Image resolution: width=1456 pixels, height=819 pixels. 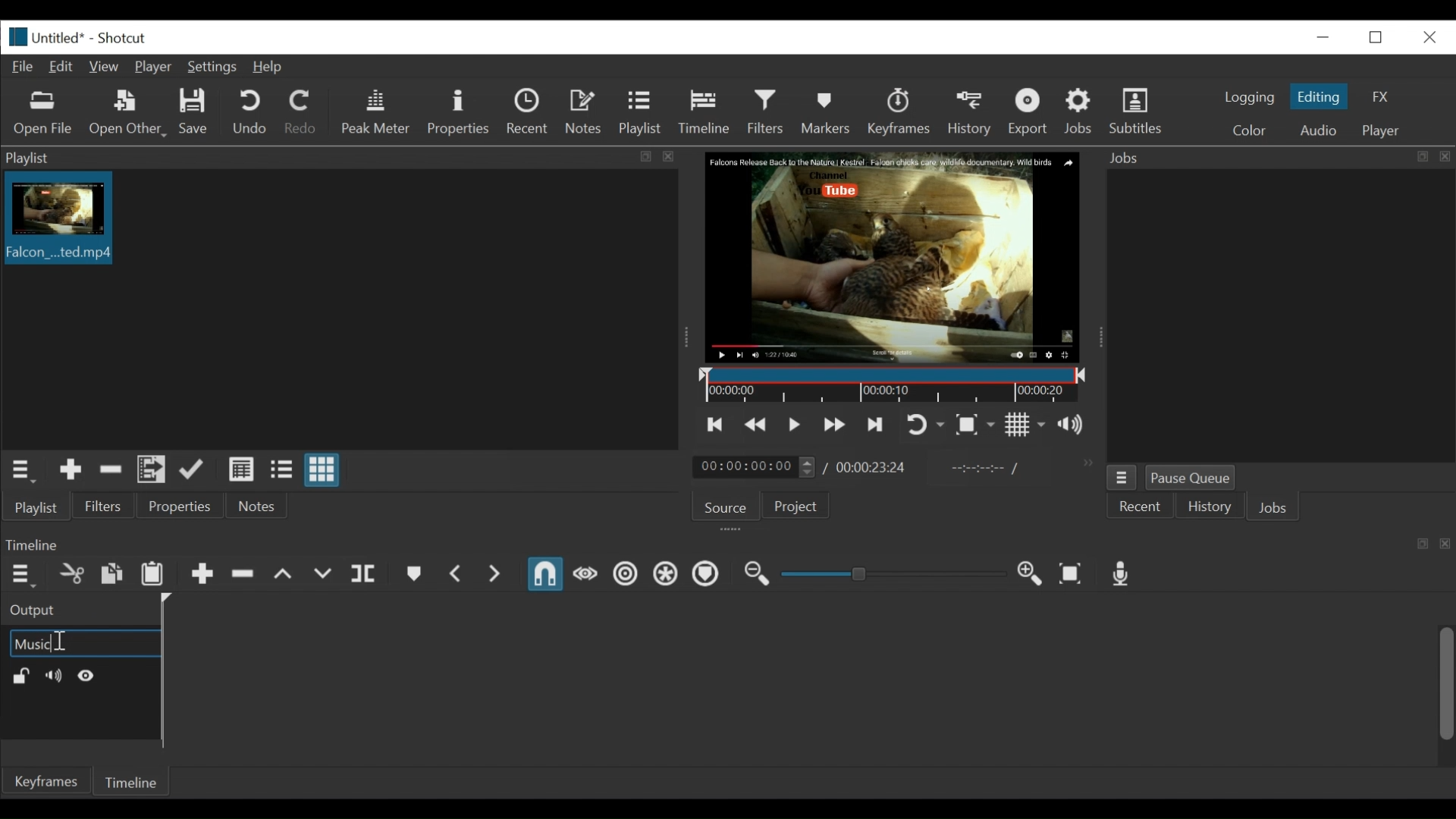 I want to click on Markers, so click(x=829, y=114).